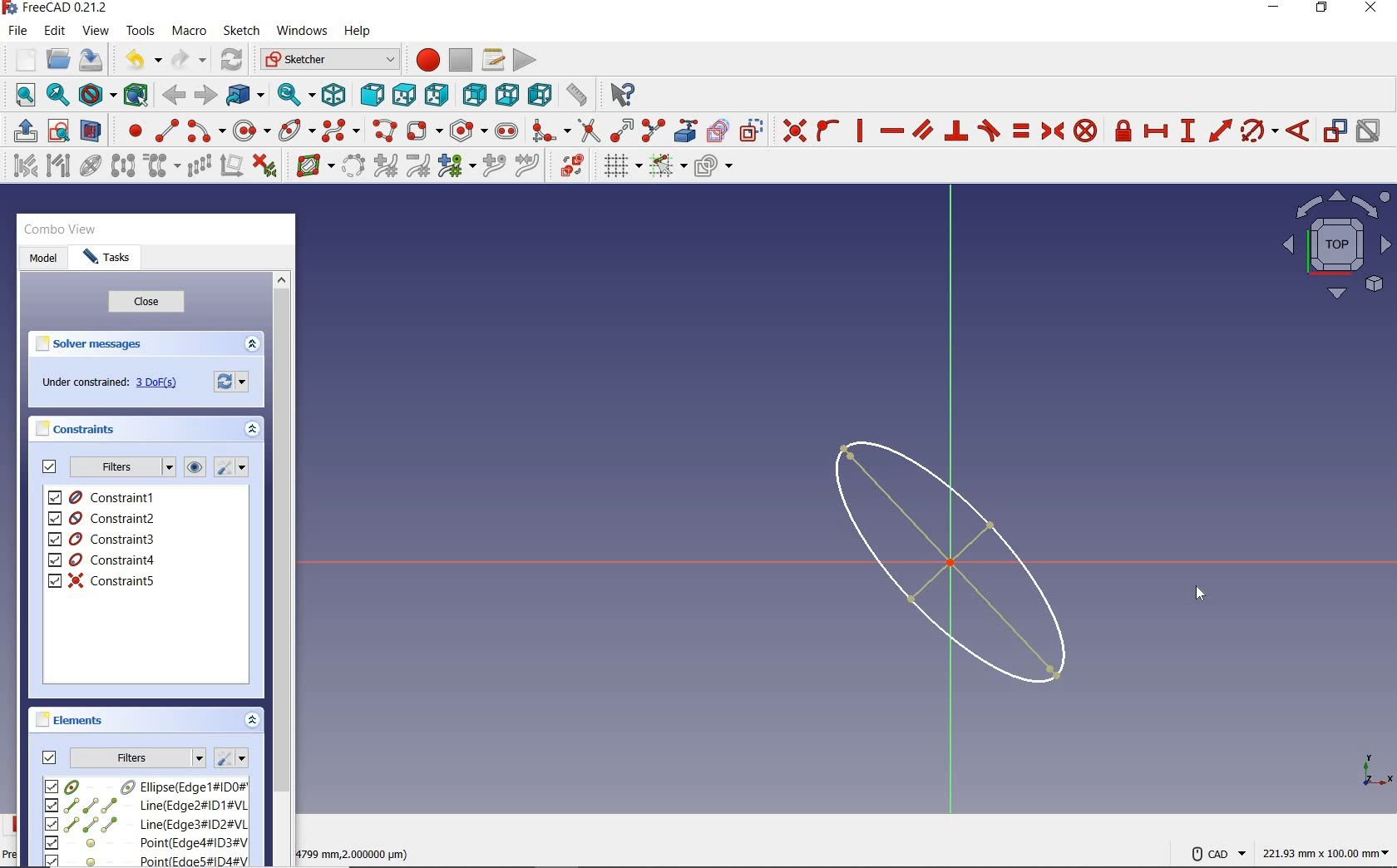 This screenshot has width=1397, height=868. I want to click on rectangular array, so click(199, 167).